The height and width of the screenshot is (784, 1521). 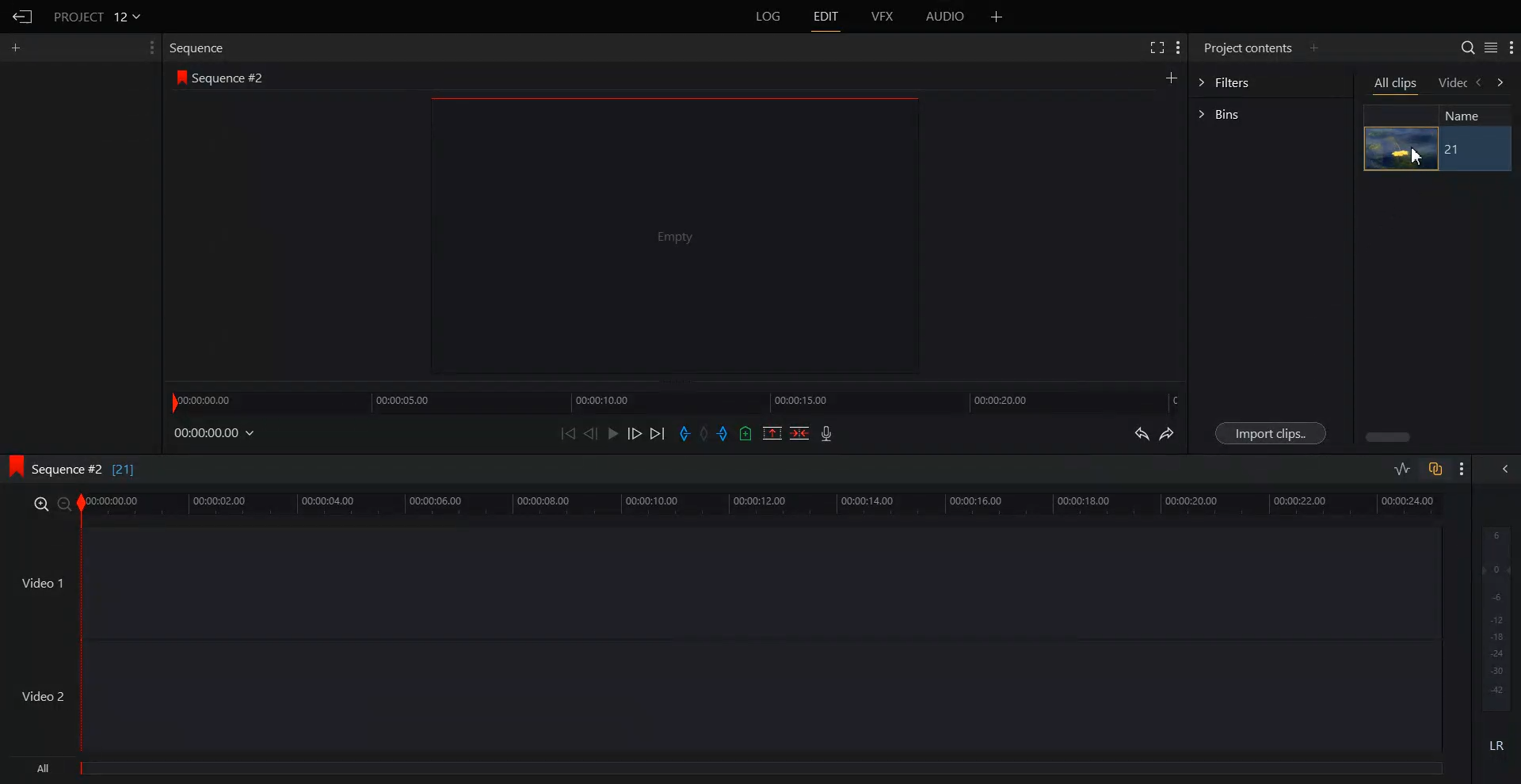 I want to click on Full screen, so click(x=1154, y=48).